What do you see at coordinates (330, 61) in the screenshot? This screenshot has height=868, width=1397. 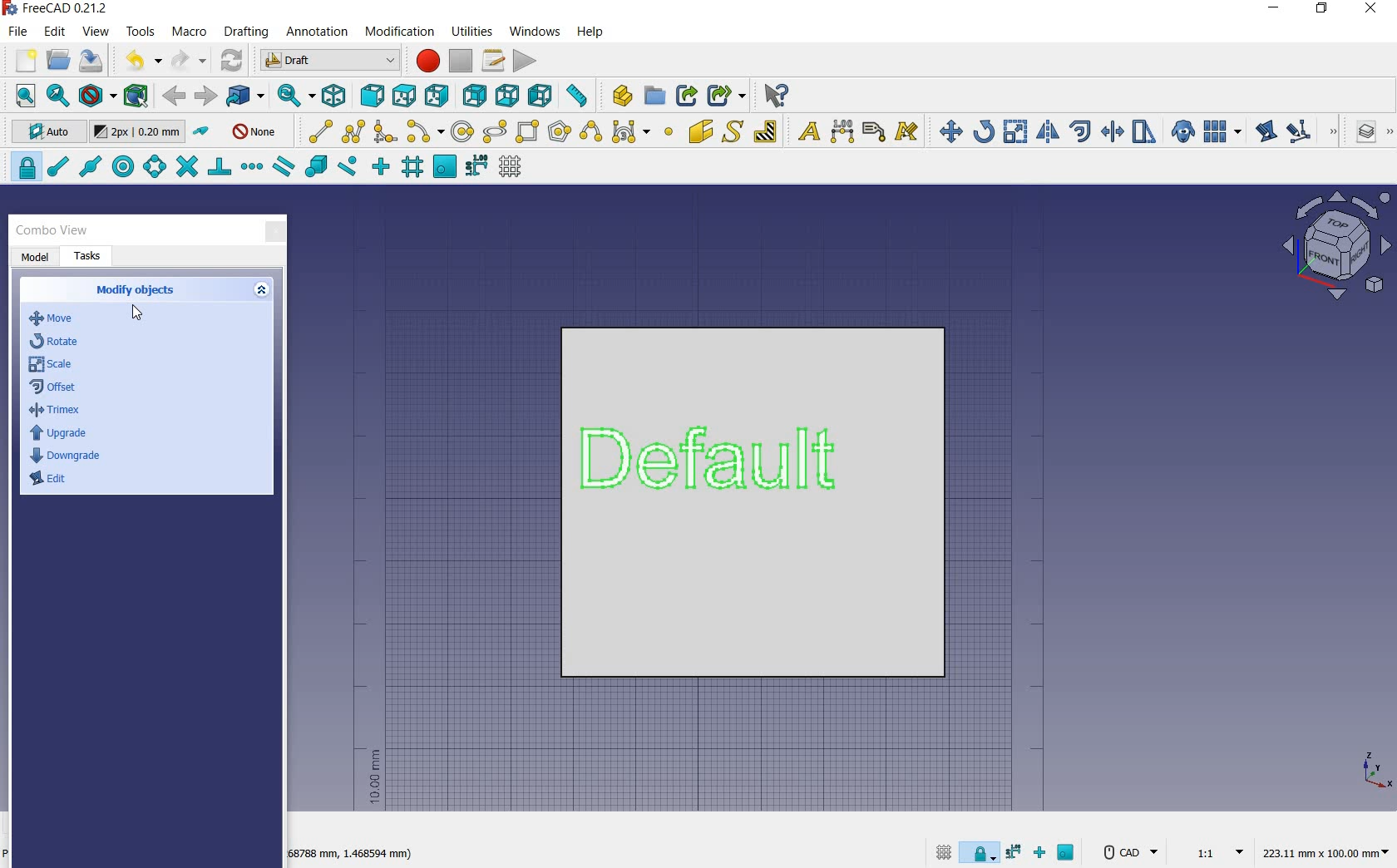 I see `switch between workbenches` at bounding box center [330, 61].